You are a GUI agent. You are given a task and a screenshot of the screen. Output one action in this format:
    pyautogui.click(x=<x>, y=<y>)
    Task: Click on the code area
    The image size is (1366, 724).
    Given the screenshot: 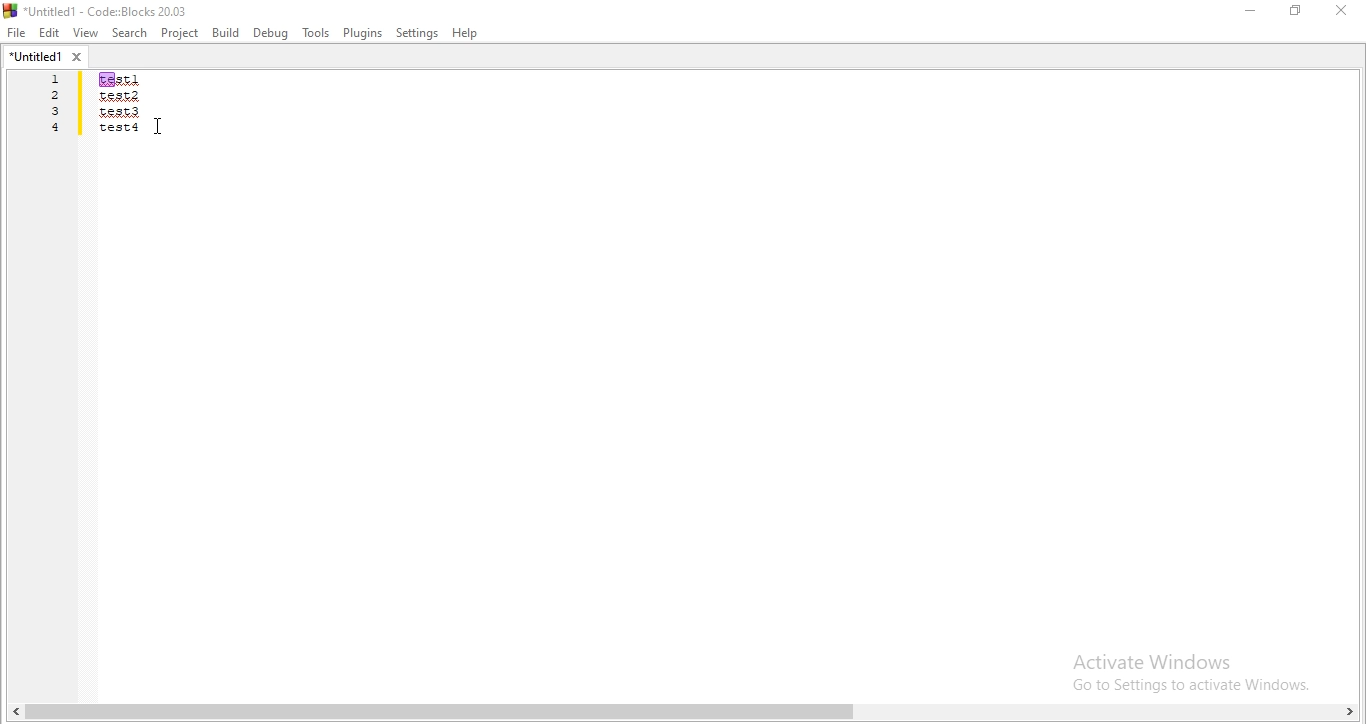 What is the action you would take?
    pyautogui.click(x=118, y=112)
    